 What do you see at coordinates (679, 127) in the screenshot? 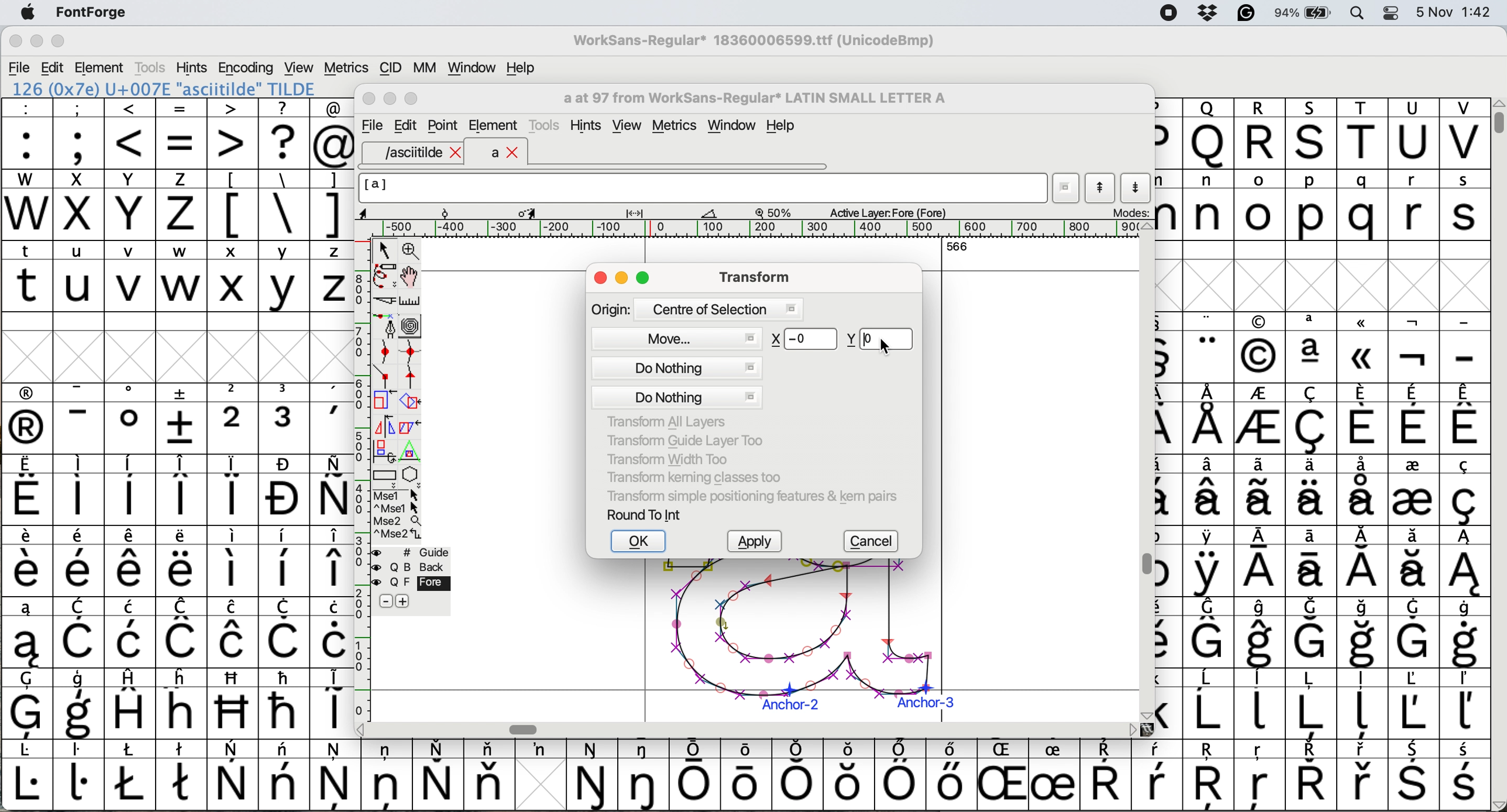
I see `metrics` at bounding box center [679, 127].